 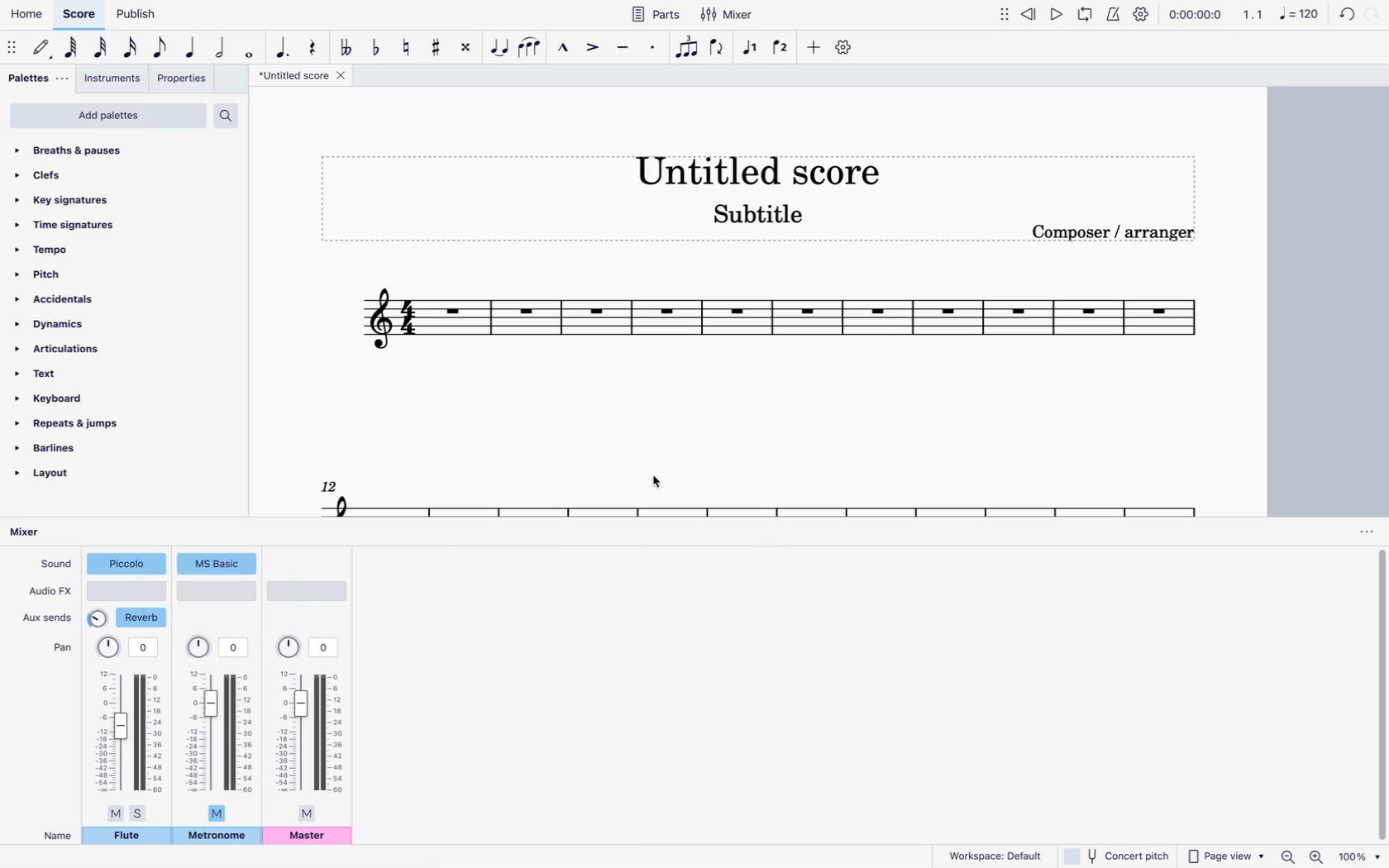 I want to click on loop playback, so click(x=1085, y=13).